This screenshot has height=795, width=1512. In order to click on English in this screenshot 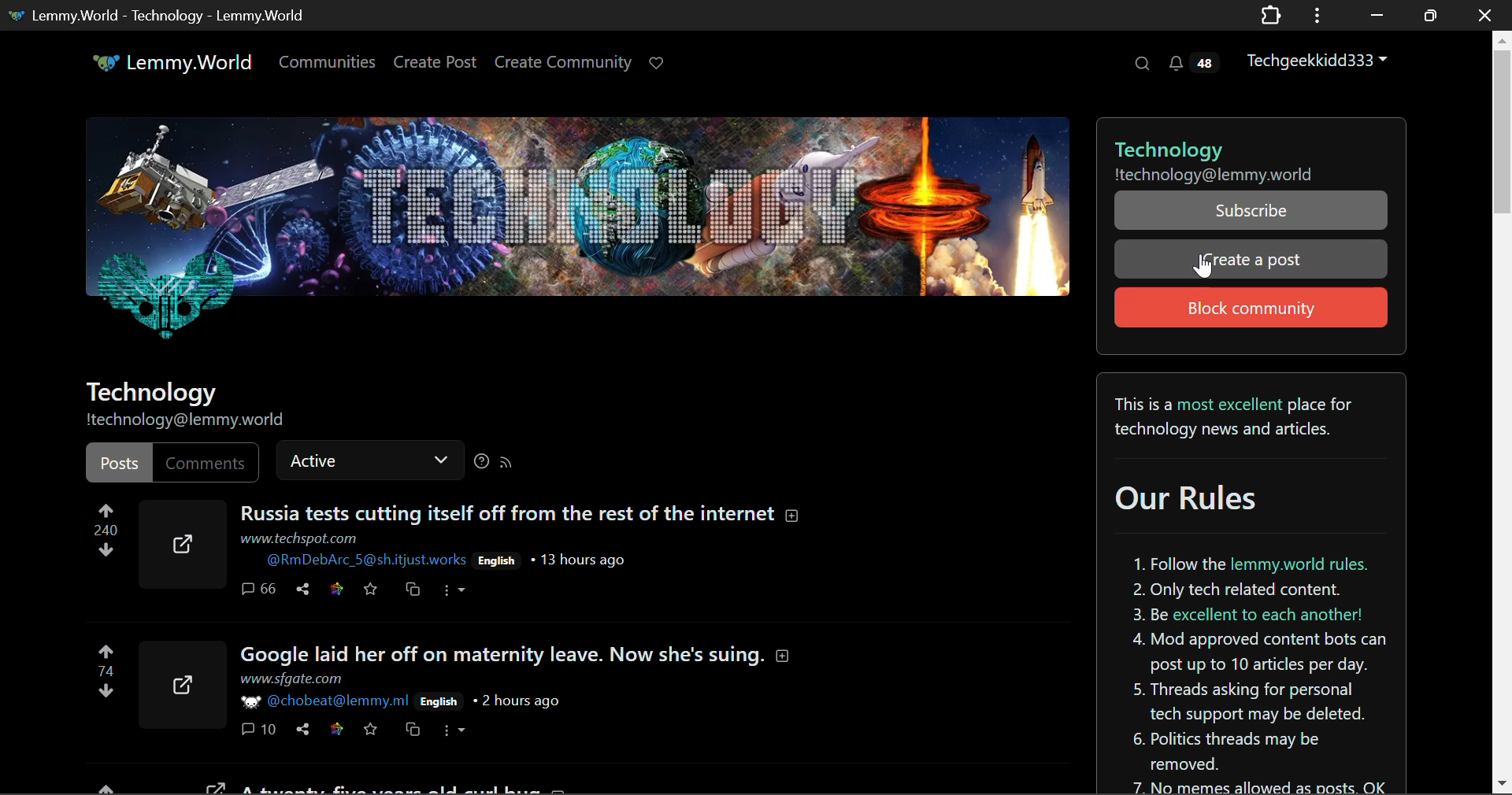, I will do `click(500, 560)`.